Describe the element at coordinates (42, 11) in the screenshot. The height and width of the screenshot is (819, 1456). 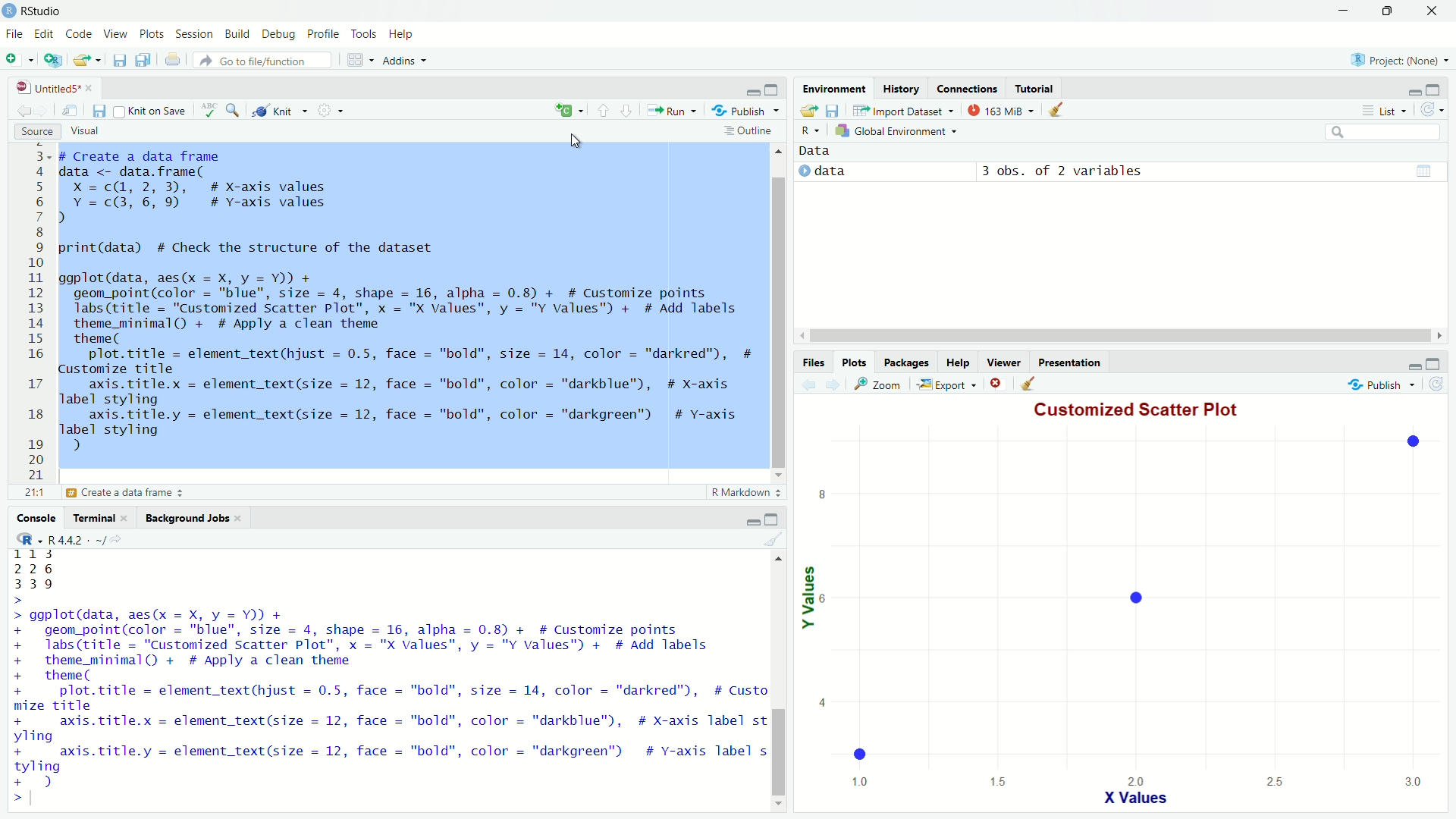
I see `R studio` at that location.